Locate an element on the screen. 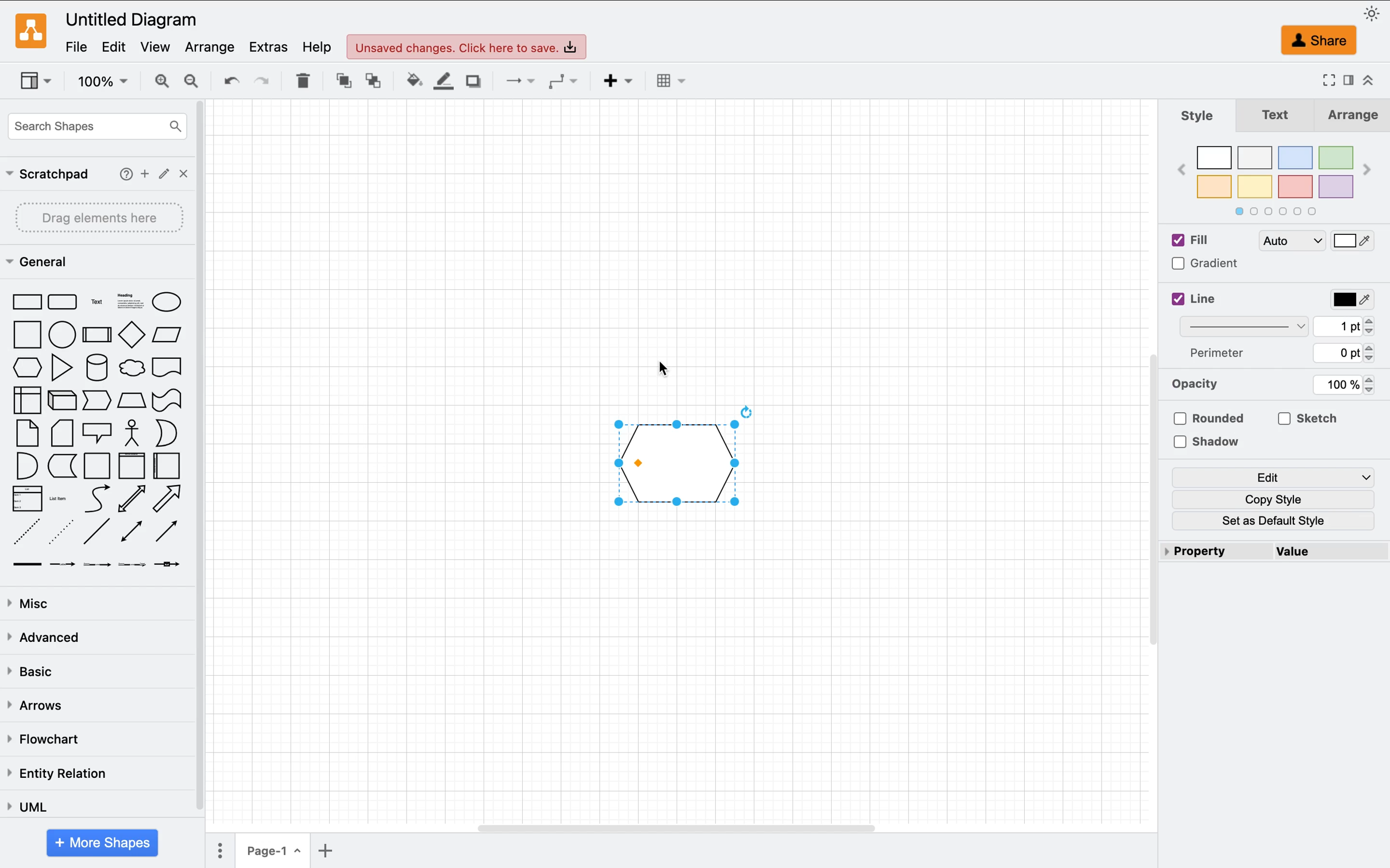 This screenshot has width=1390, height=868. rounded rectangle is located at coordinates (62, 301).